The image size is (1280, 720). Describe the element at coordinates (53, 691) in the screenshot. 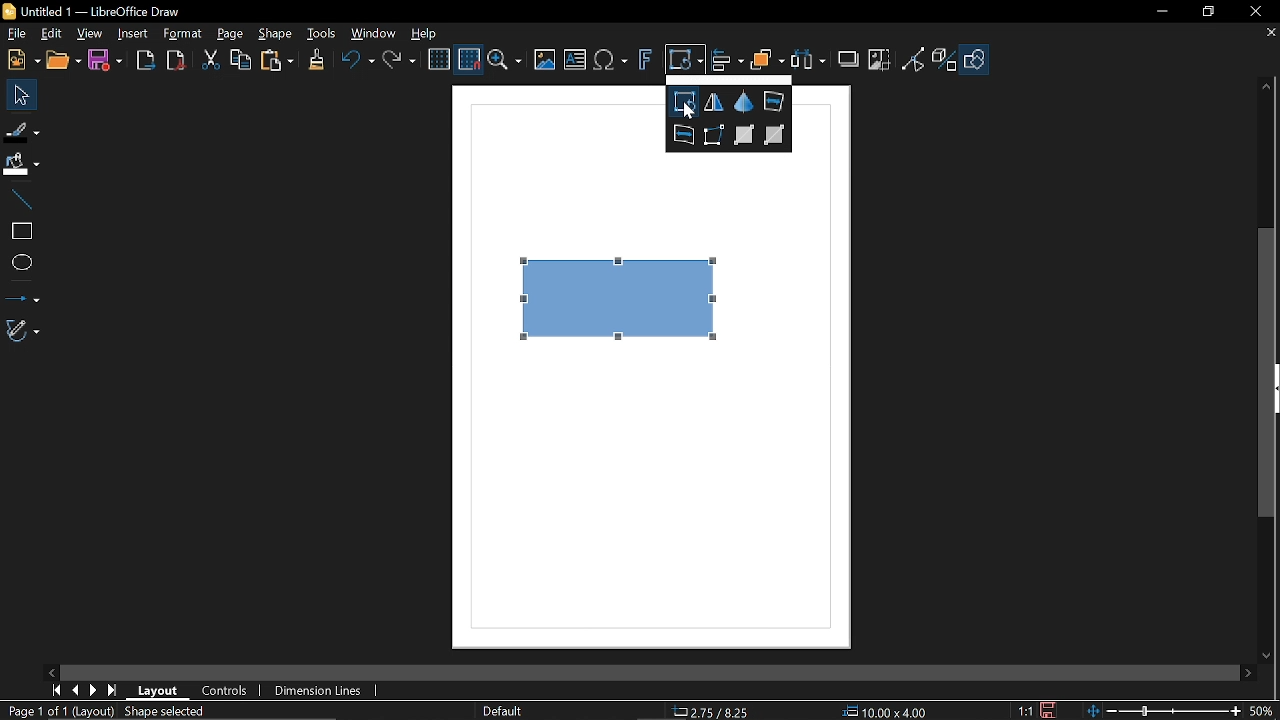

I see `First page` at that location.